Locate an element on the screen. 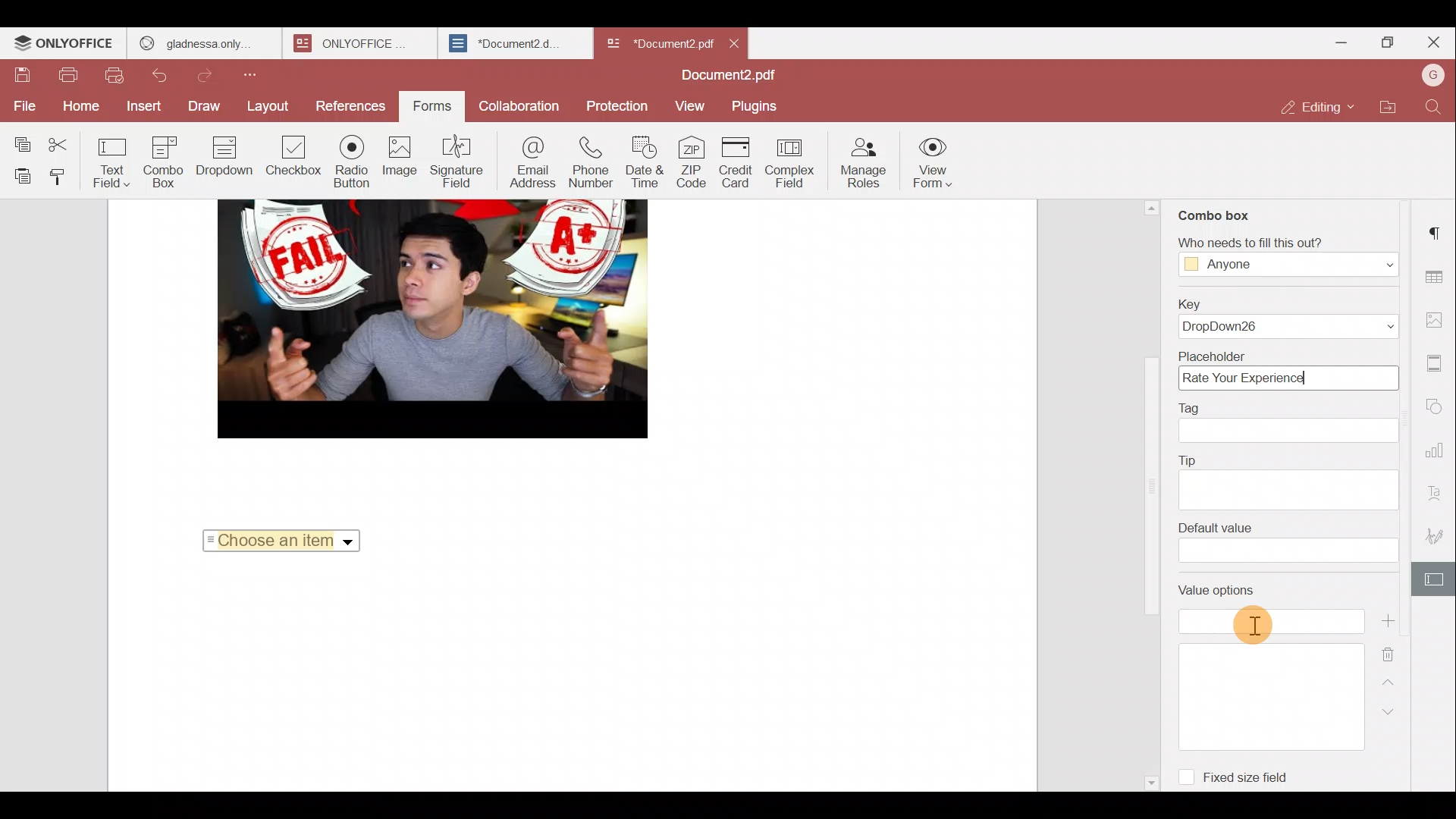  Collaboration is located at coordinates (518, 105).